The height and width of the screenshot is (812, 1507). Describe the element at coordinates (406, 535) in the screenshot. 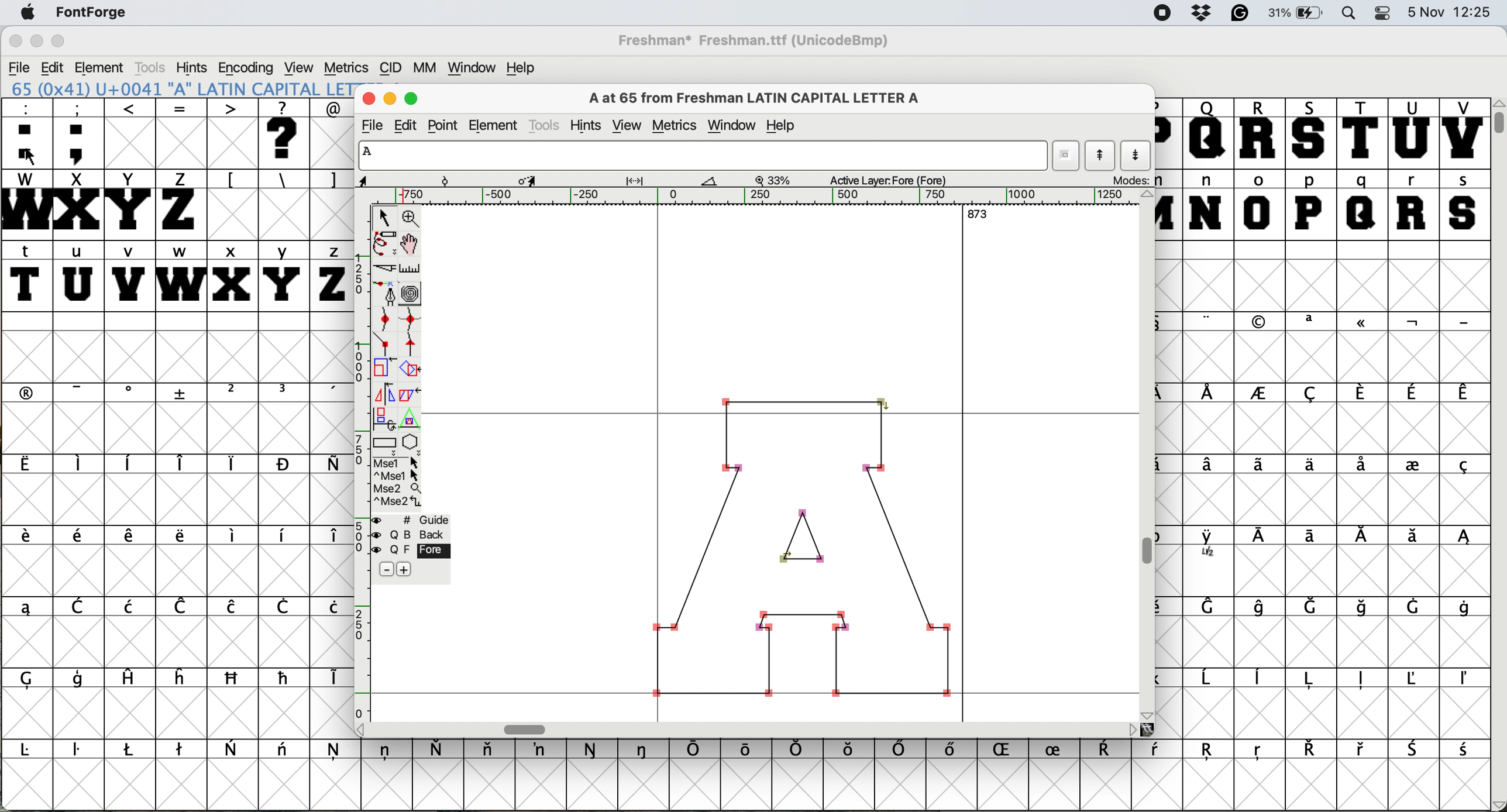

I see `back` at that location.